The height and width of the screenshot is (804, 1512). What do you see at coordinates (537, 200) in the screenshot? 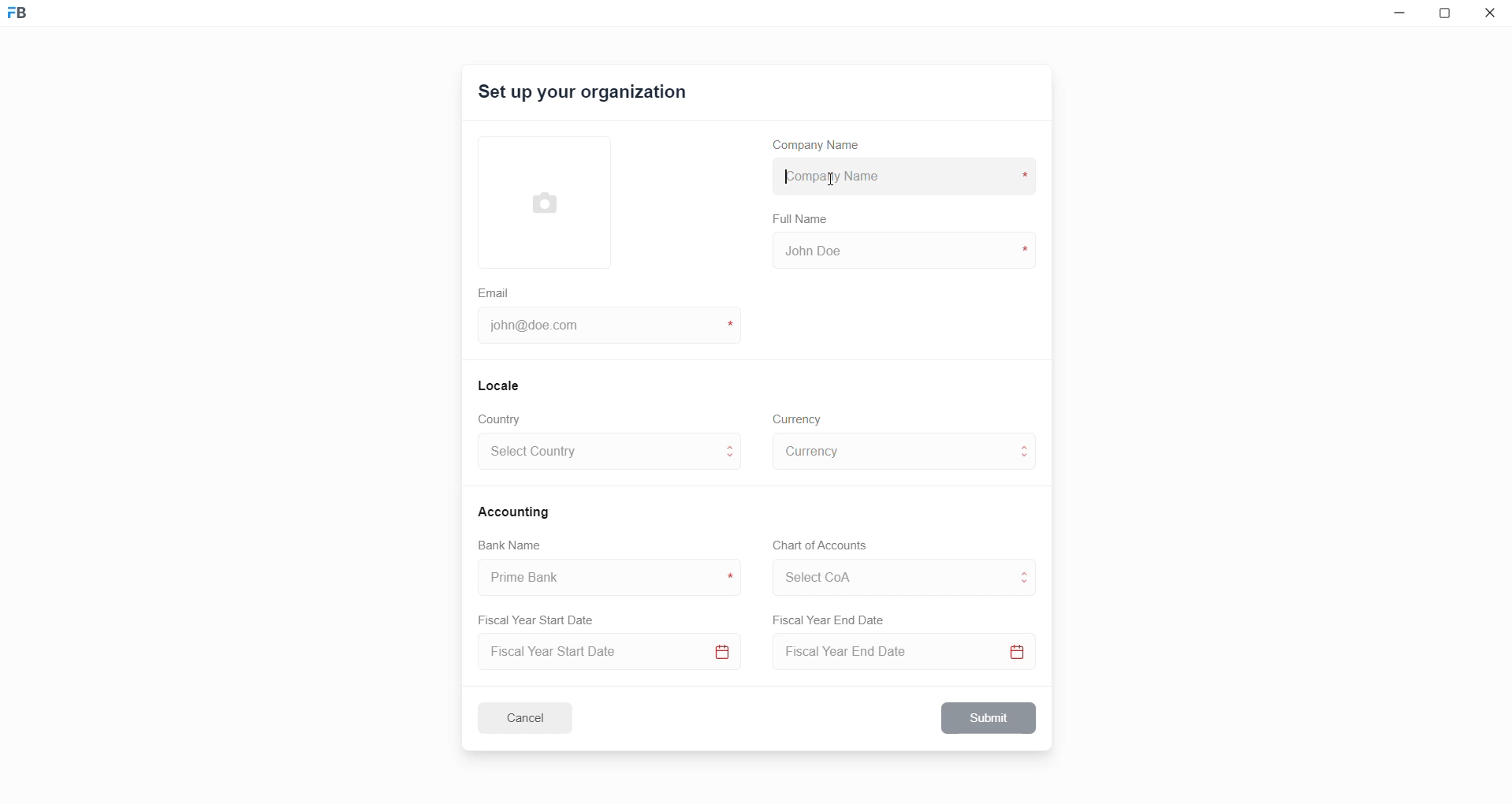
I see `select Profile picture` at bounding box center [537, 200].